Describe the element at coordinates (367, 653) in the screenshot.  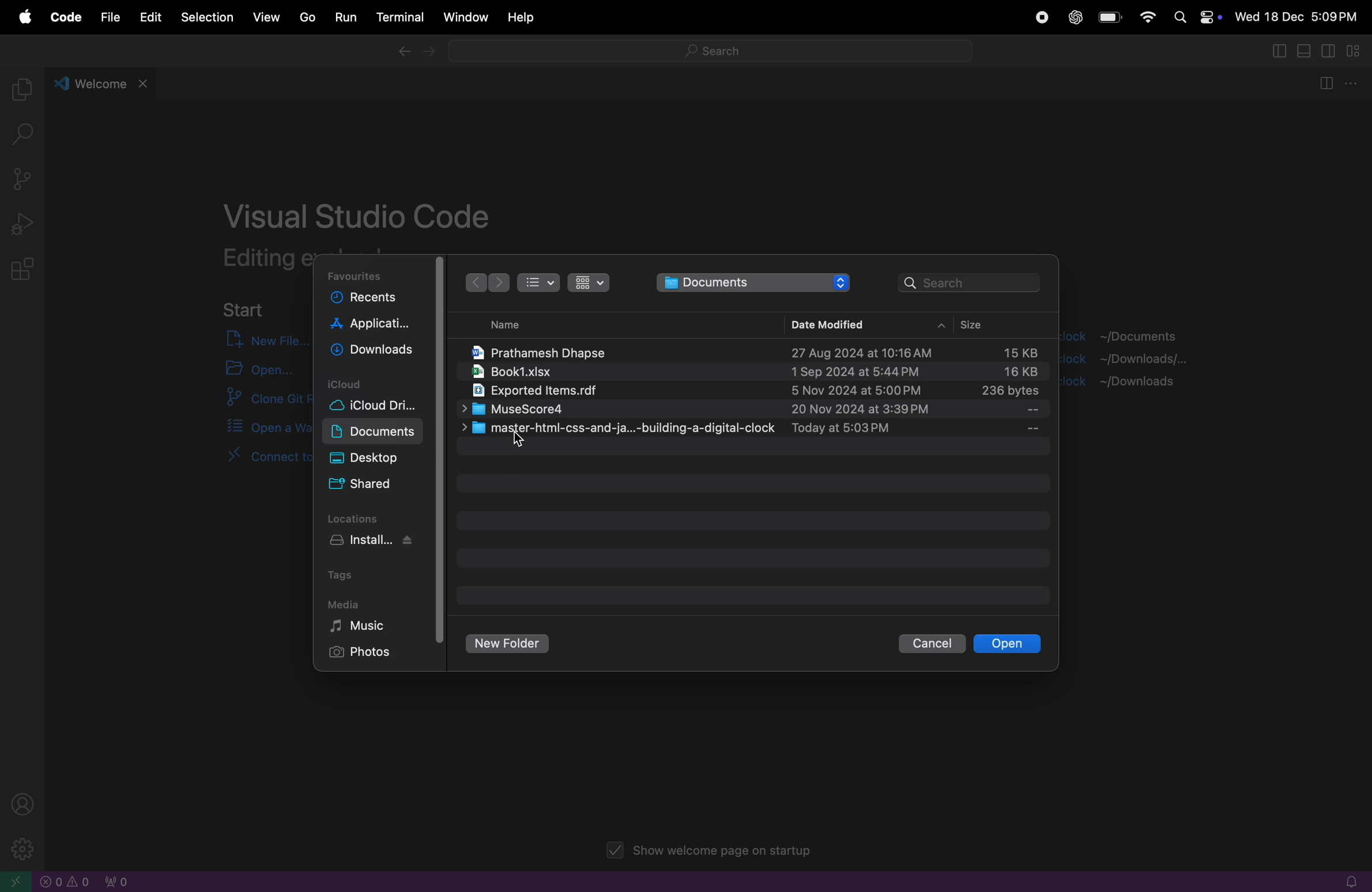
I see `photos` at that location.